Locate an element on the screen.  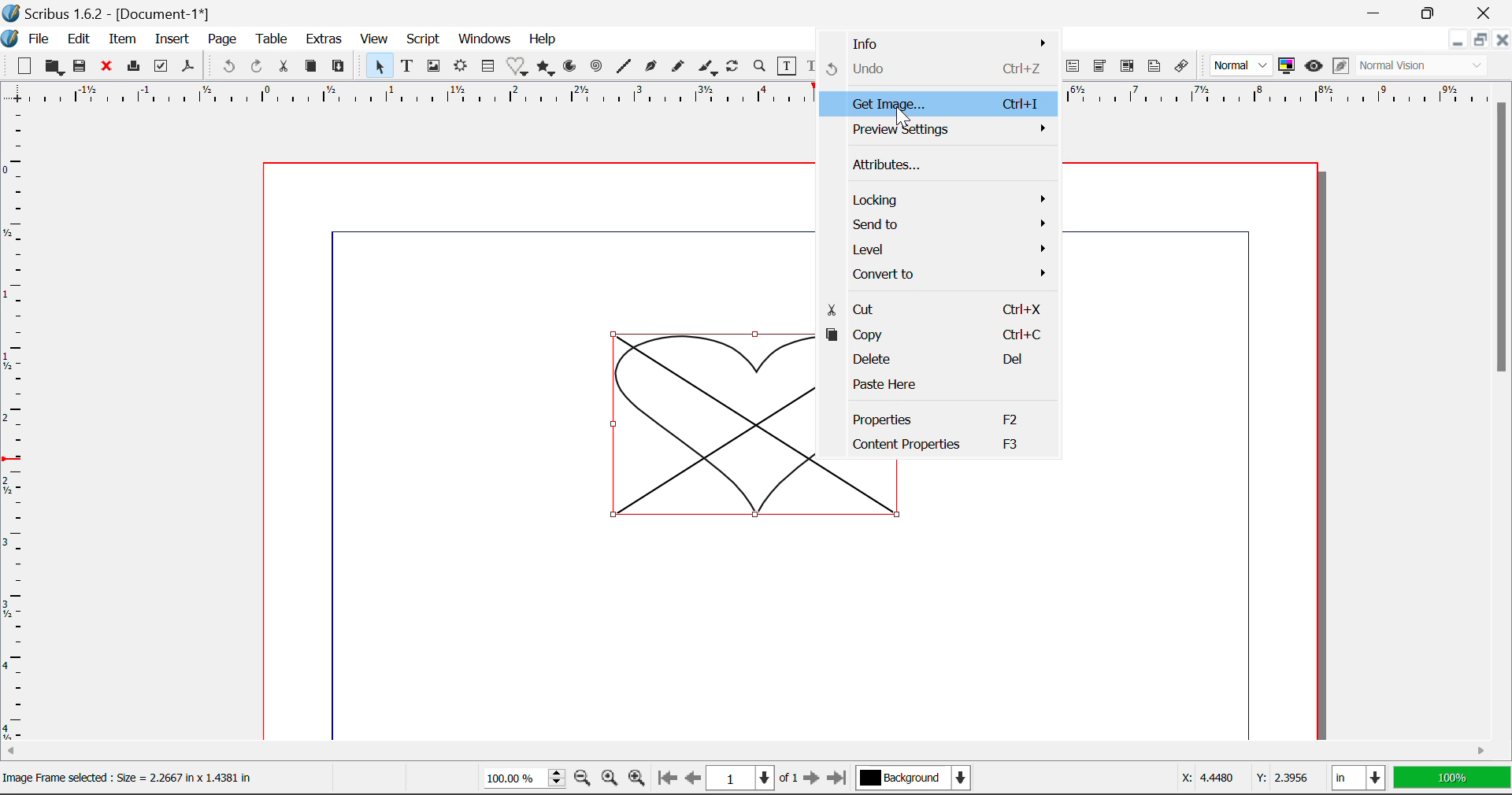
Line is located at coordinates (625, 67).